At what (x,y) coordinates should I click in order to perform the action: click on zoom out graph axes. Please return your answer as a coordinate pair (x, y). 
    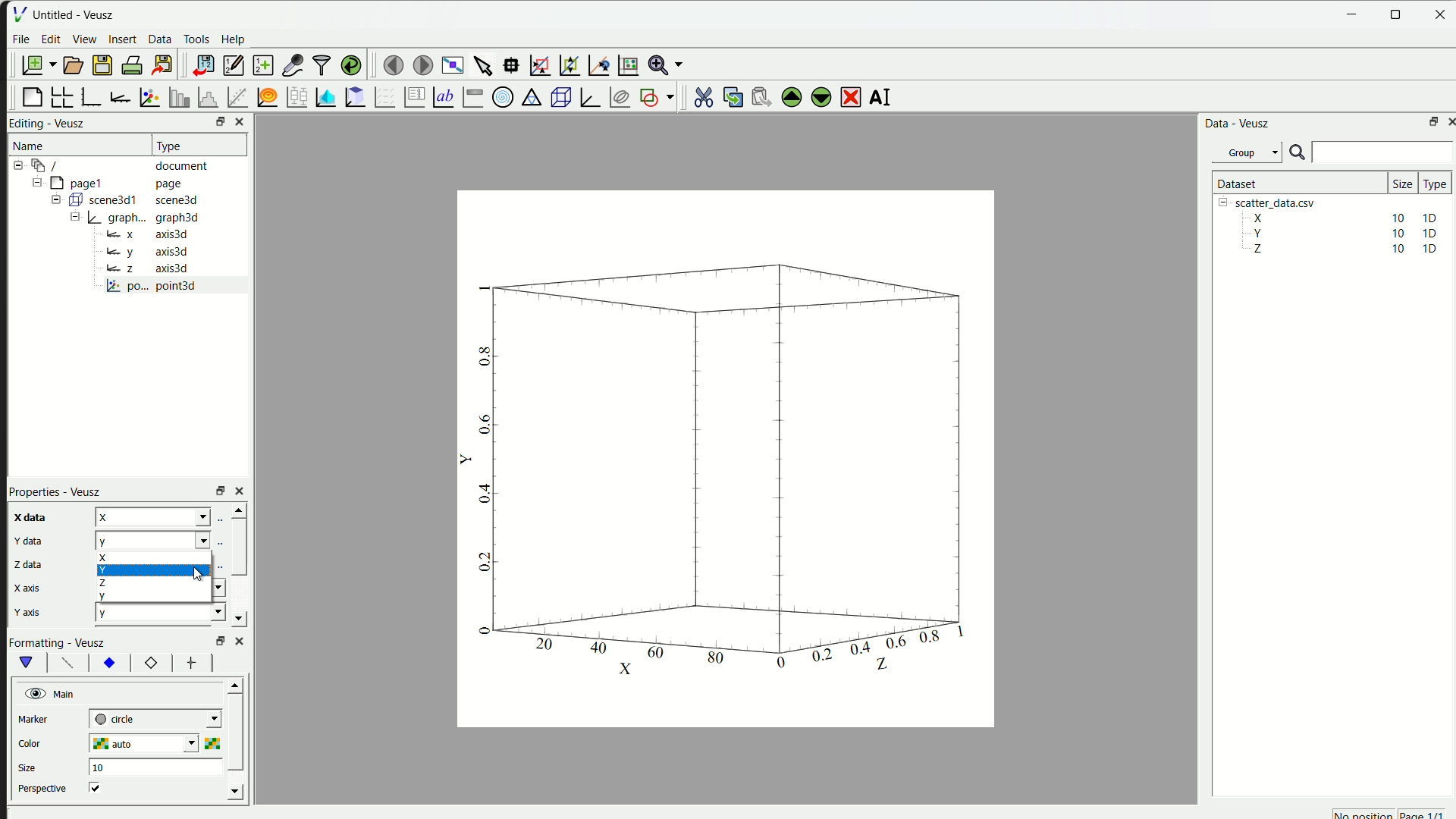
    Looking at the image, I should click on (567, 66).